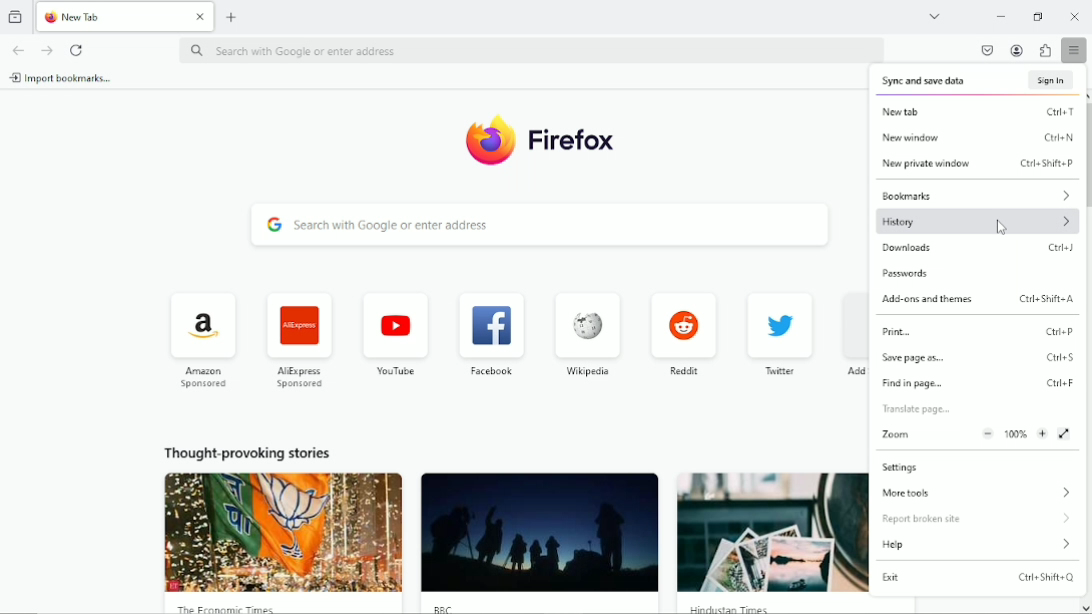 This screenshot has height=614, width=1092. I want to click on image, so click(539, 532).